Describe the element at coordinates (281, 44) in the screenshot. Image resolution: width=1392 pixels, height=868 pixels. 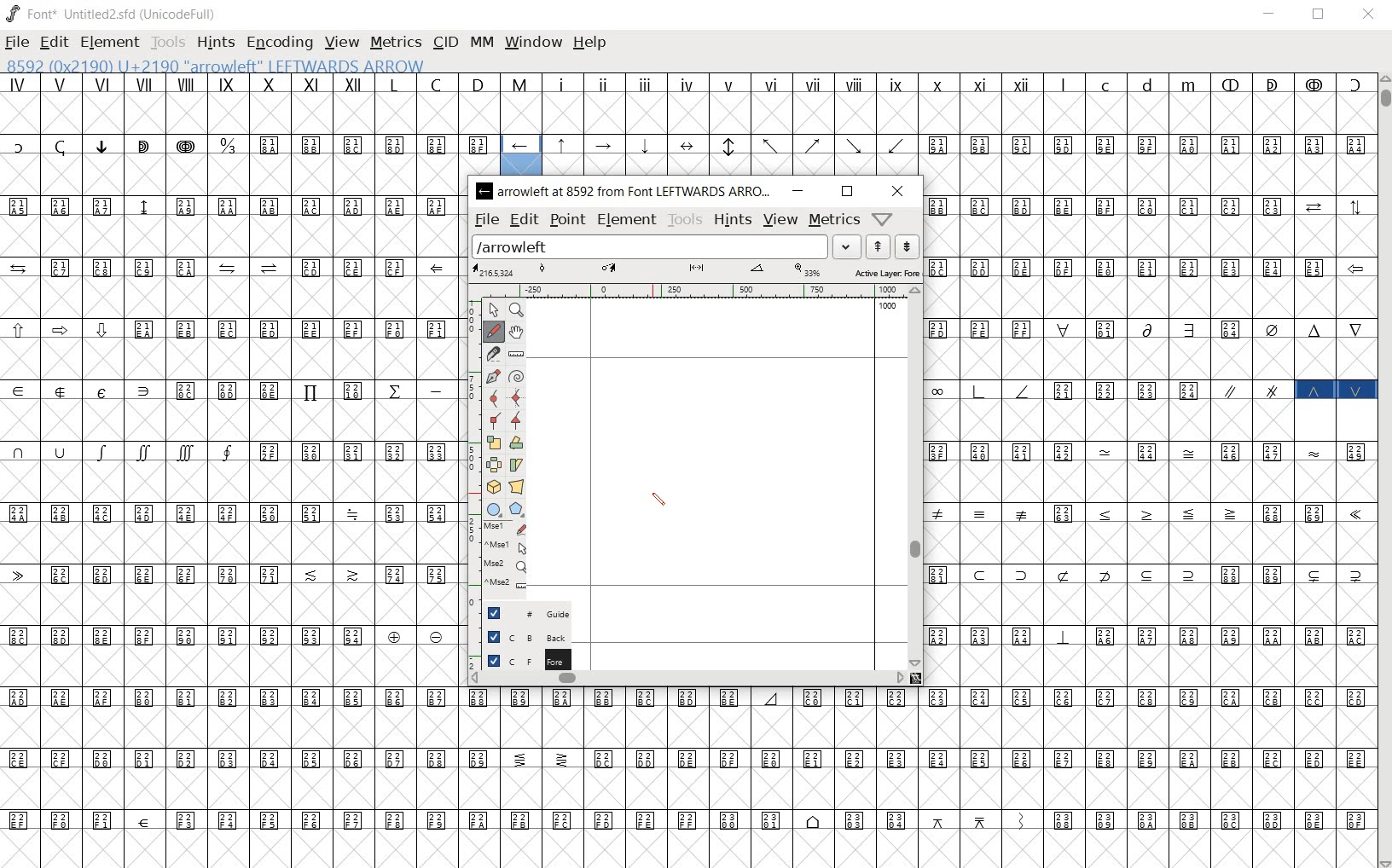
I see `encoding` at that location.